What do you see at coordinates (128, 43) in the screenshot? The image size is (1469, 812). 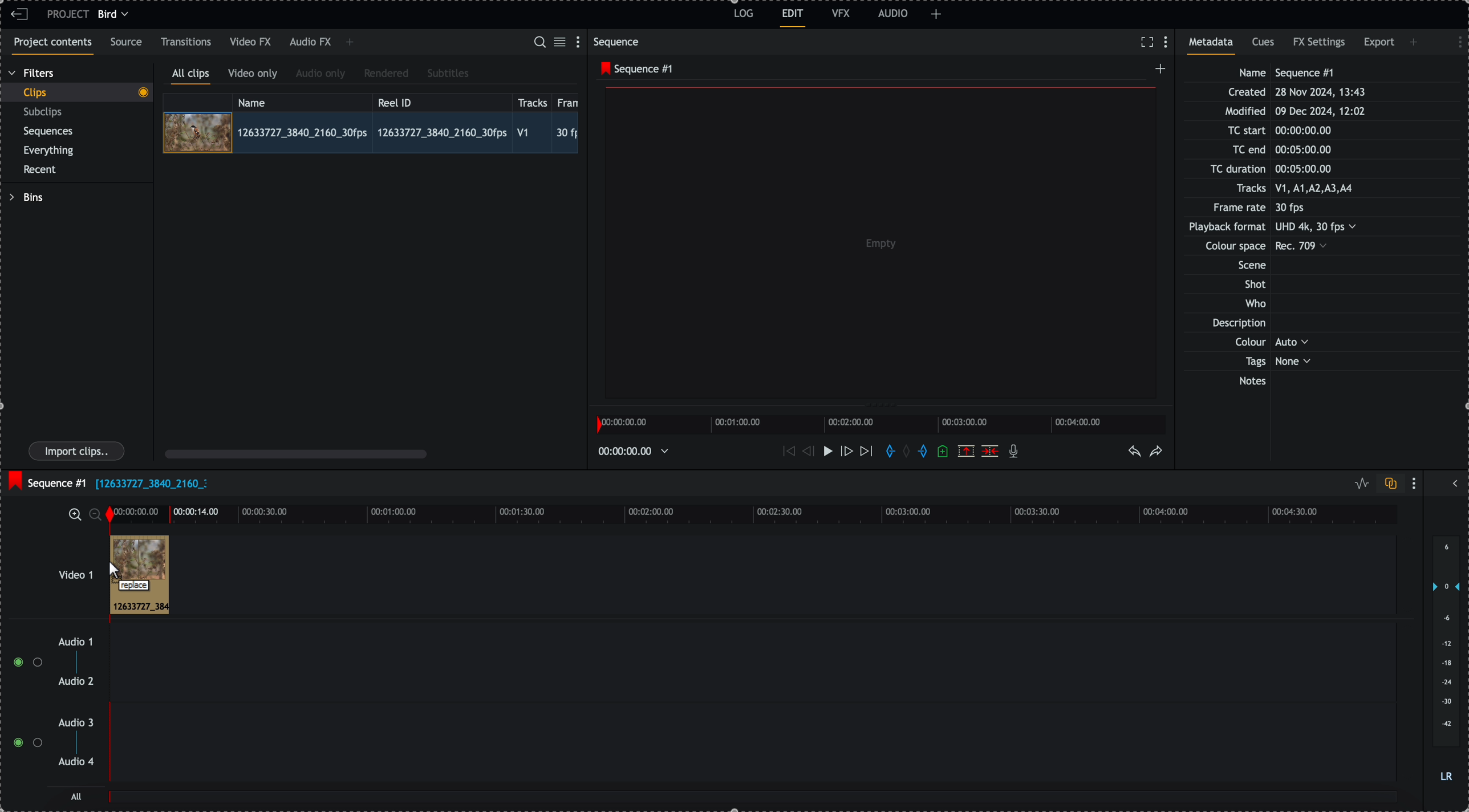 I see `source` at bounding box center [128, 43].